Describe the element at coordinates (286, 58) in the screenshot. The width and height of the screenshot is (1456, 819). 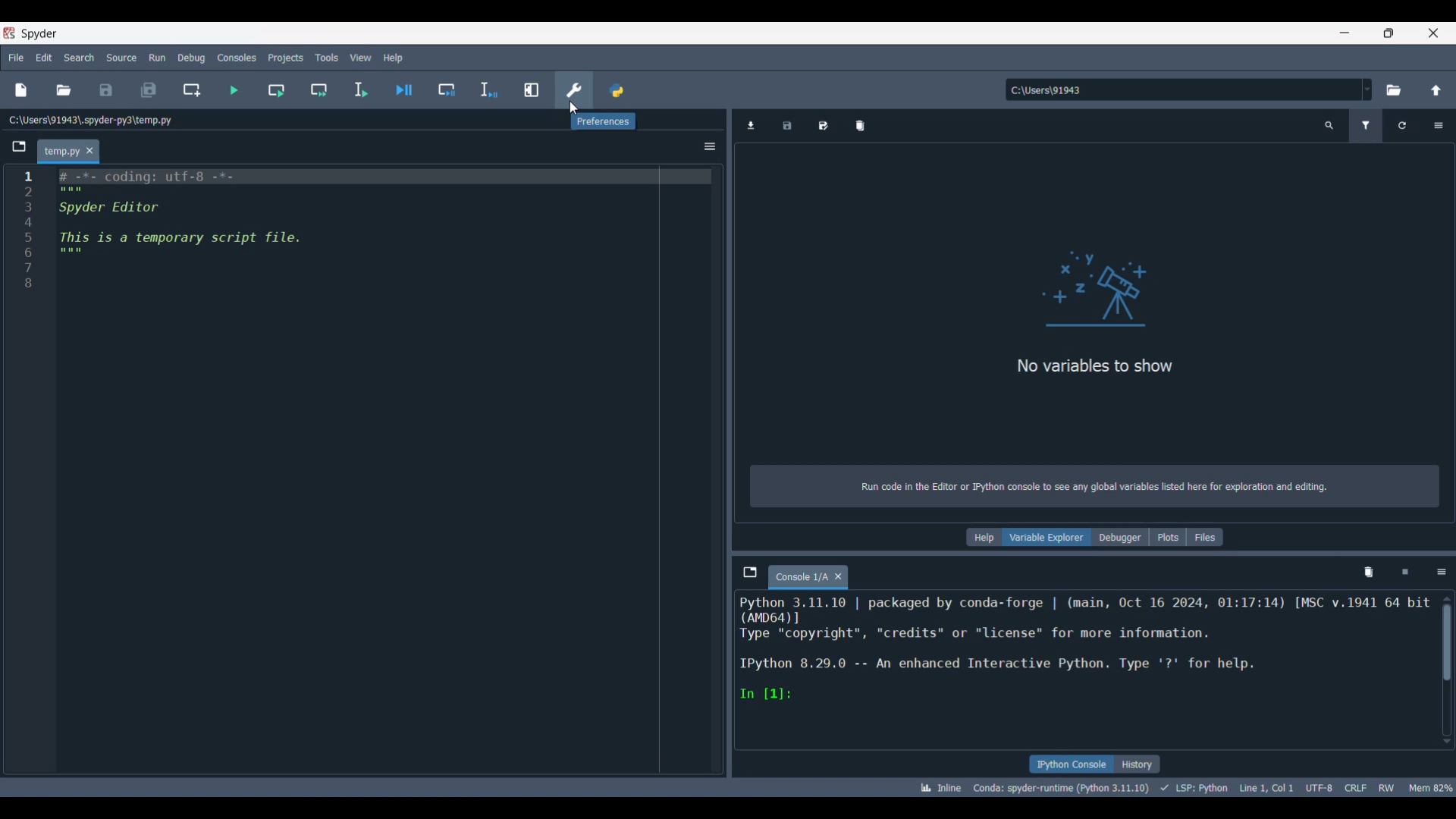
I see `Projects menu` at that location.